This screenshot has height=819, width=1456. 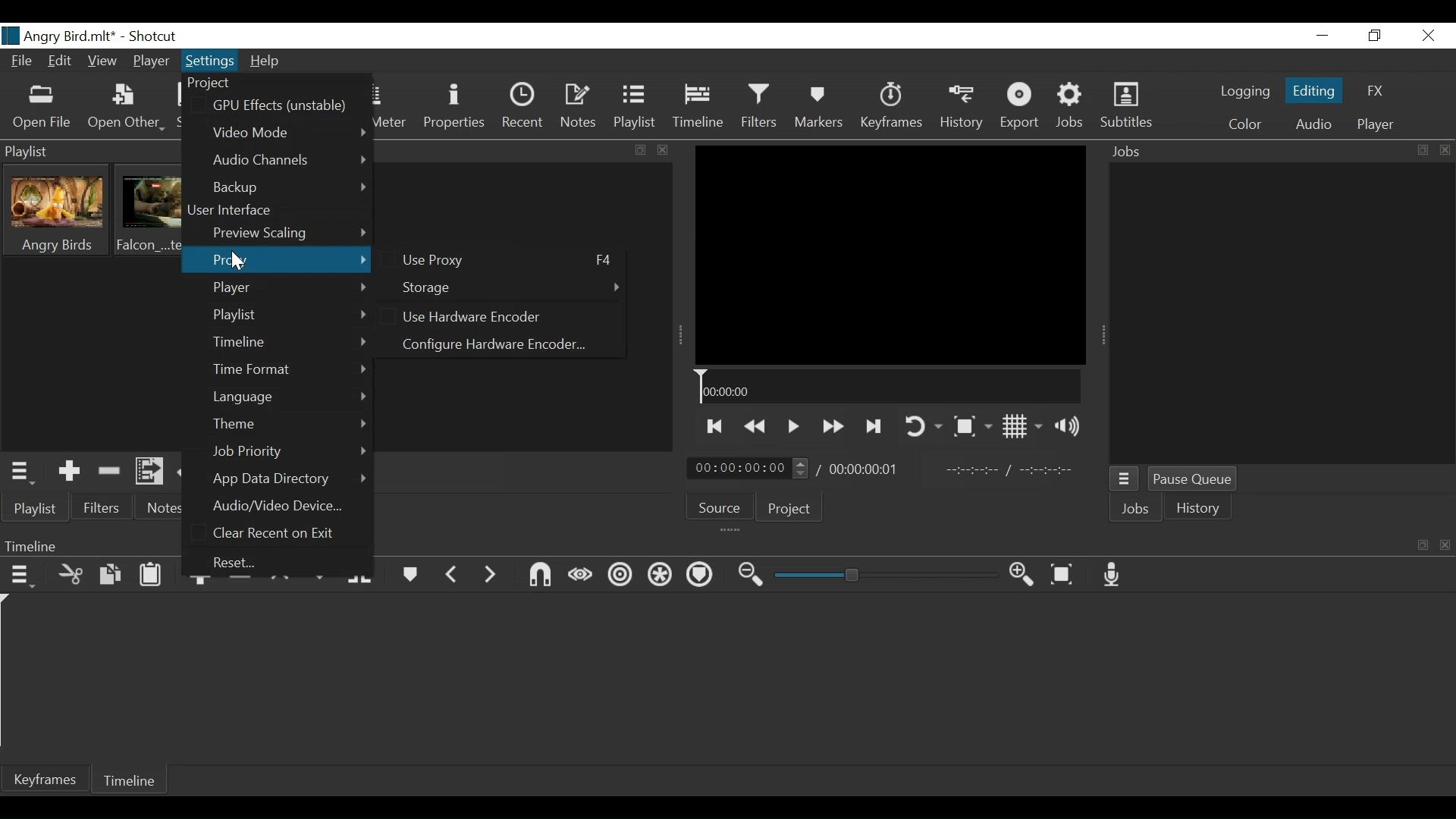 What do you see at coordinates (290, 288) in the screenshot?
I see `Player` at bounding box center [290, 288].